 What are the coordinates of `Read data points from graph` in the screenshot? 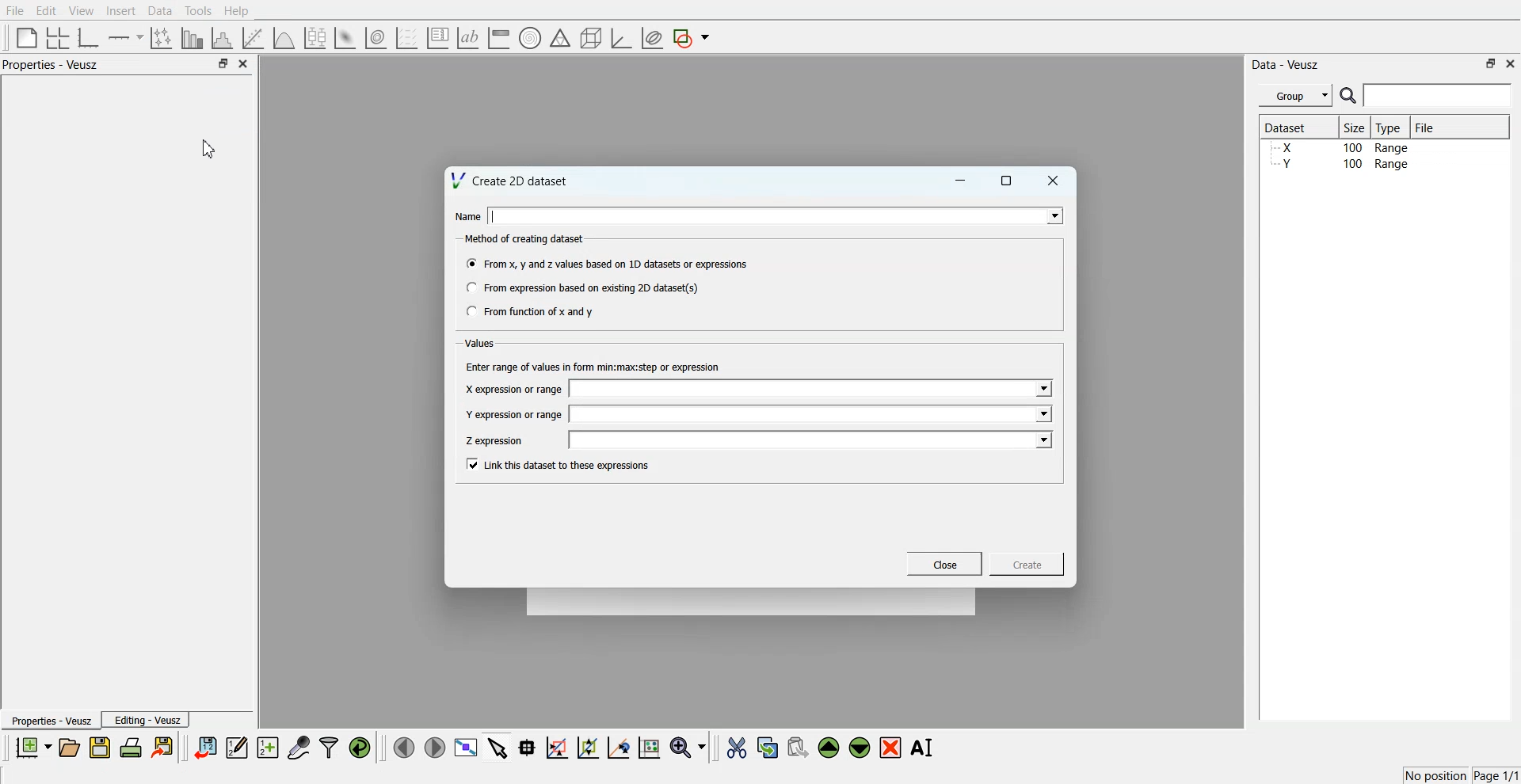 It's located at (528, 747).